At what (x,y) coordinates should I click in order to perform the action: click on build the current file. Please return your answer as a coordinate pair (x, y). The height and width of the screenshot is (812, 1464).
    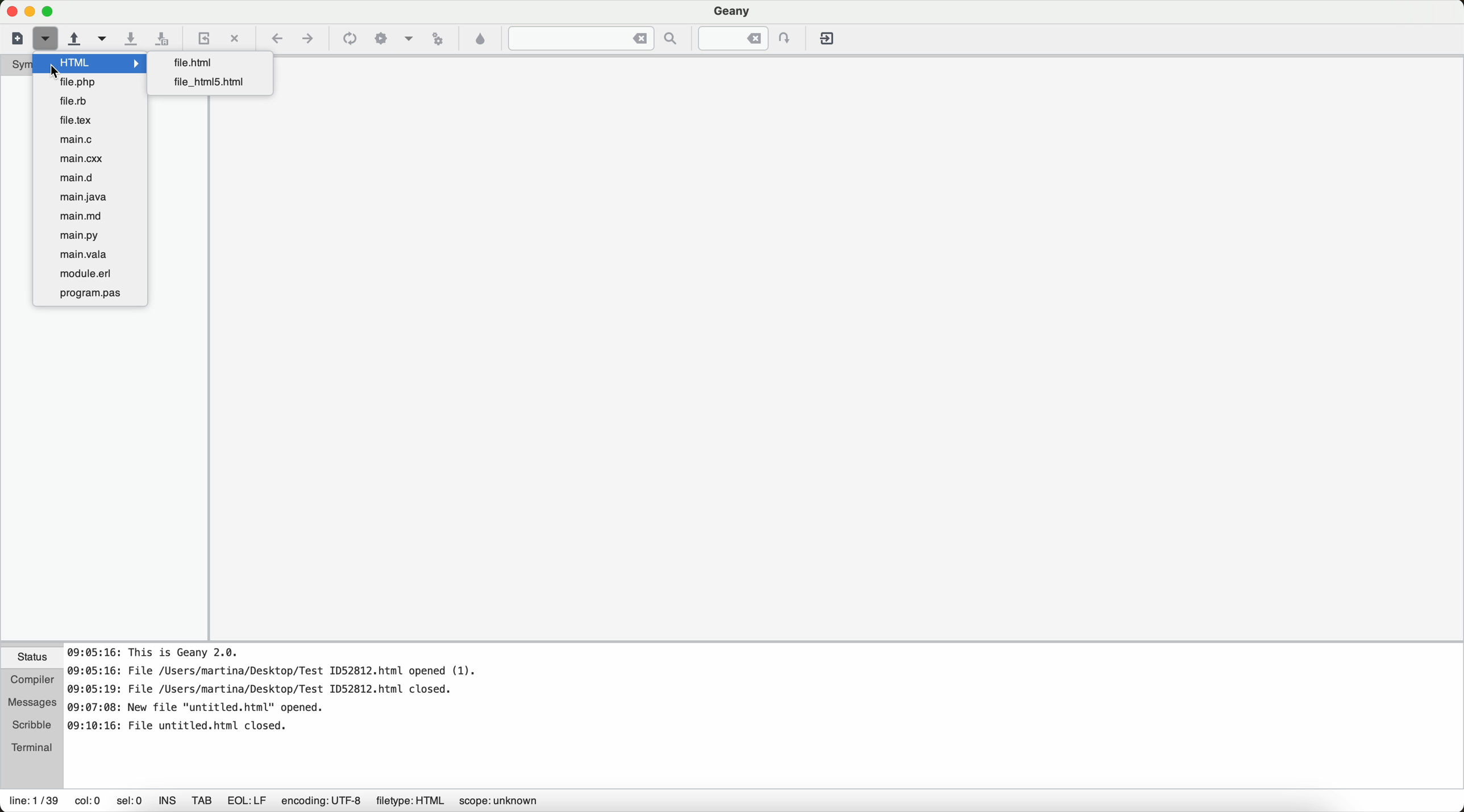
    Looking at the image, I should click on (382, 40).